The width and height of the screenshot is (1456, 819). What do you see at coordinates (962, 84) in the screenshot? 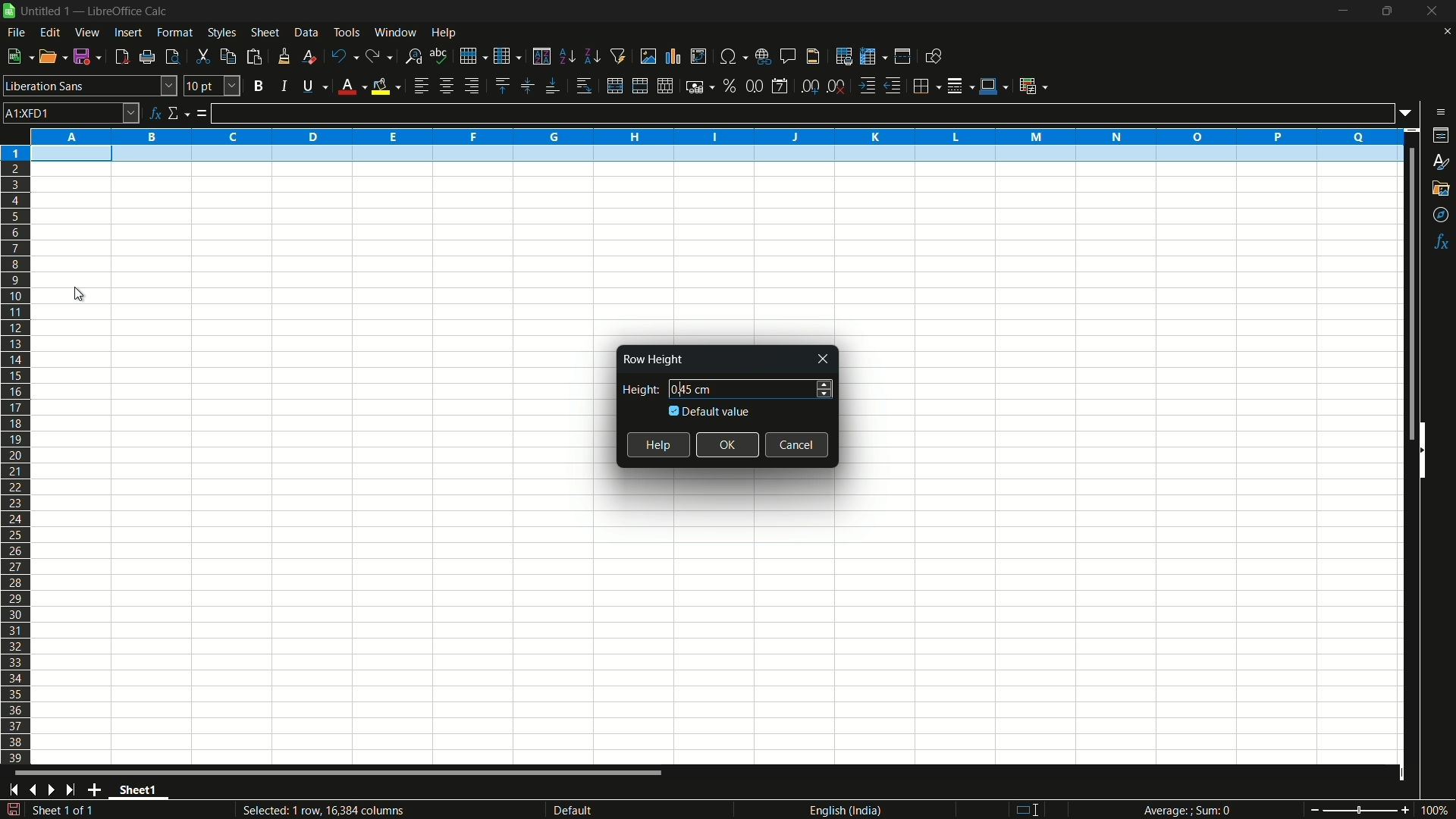
I see `border style` at bounding box center [962, 84].